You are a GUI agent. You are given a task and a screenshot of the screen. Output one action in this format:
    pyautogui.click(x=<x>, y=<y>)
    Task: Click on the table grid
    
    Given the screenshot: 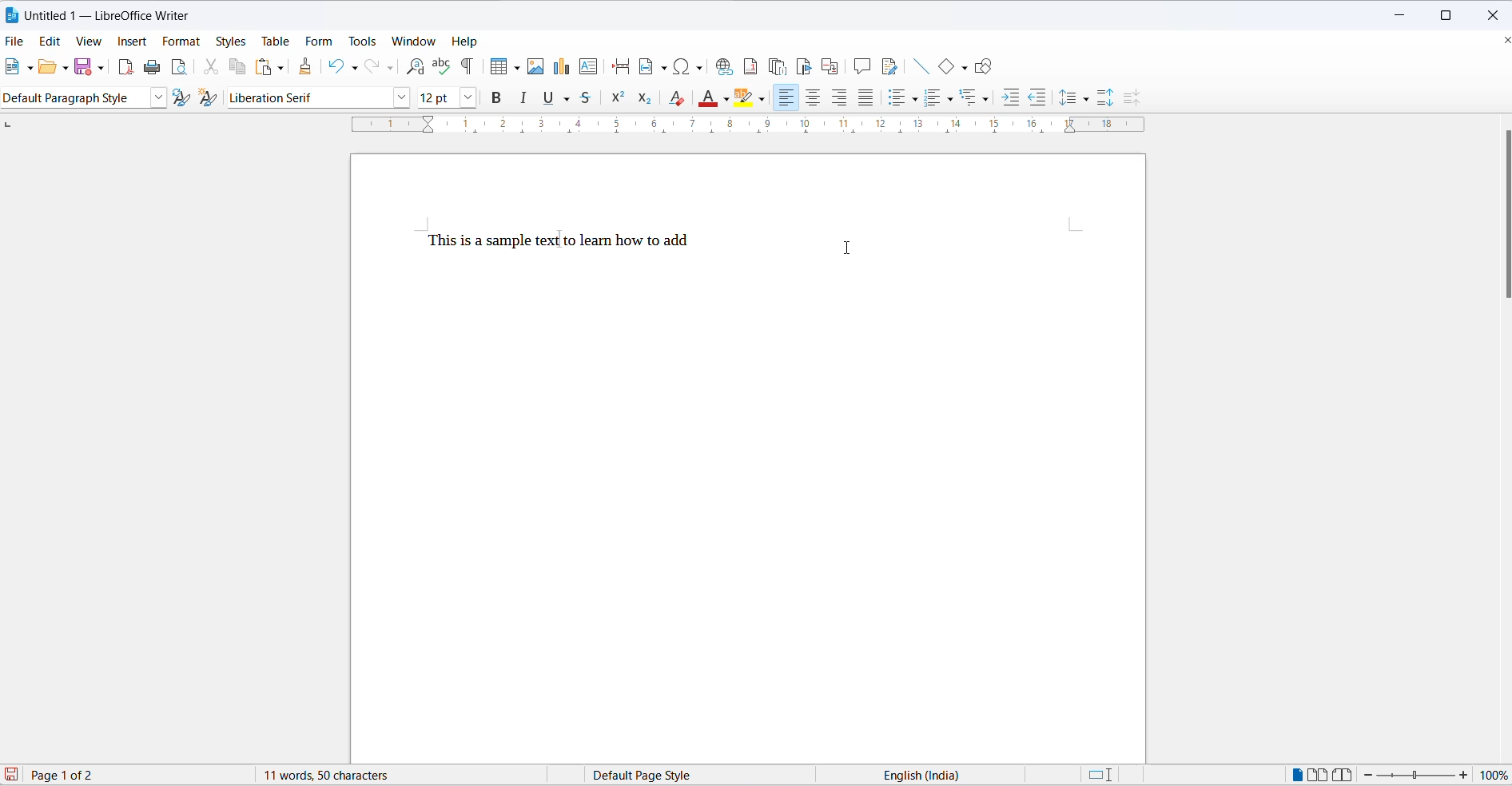 What is the action you would take?
    pyautogui.click(x=515, y=69)
    